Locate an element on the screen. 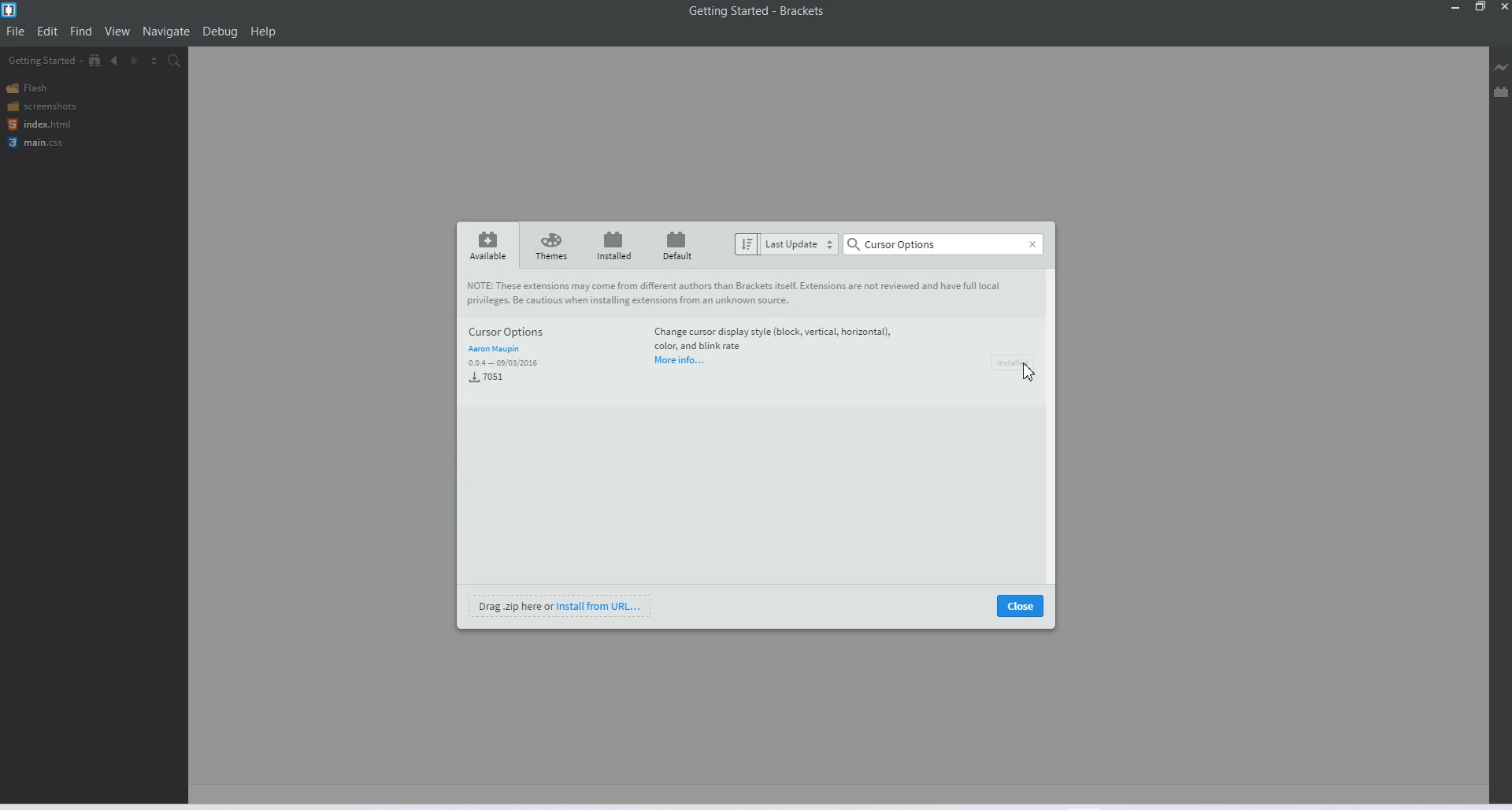 This screenshot has height=810, width=1512. main.css is located at coordinates (39, 143).